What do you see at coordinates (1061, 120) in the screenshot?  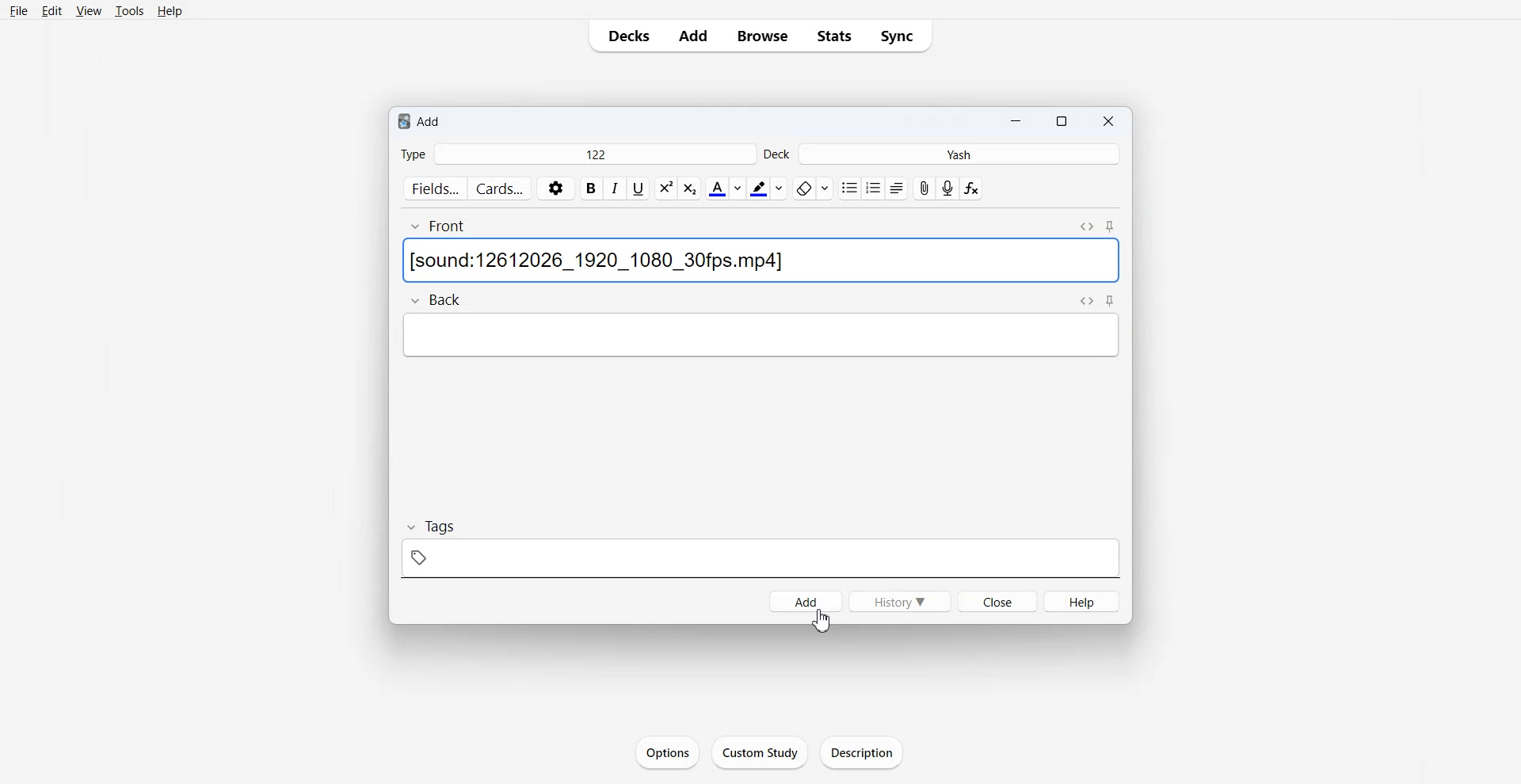 I see `resize` at bounding box center [1061, 120].